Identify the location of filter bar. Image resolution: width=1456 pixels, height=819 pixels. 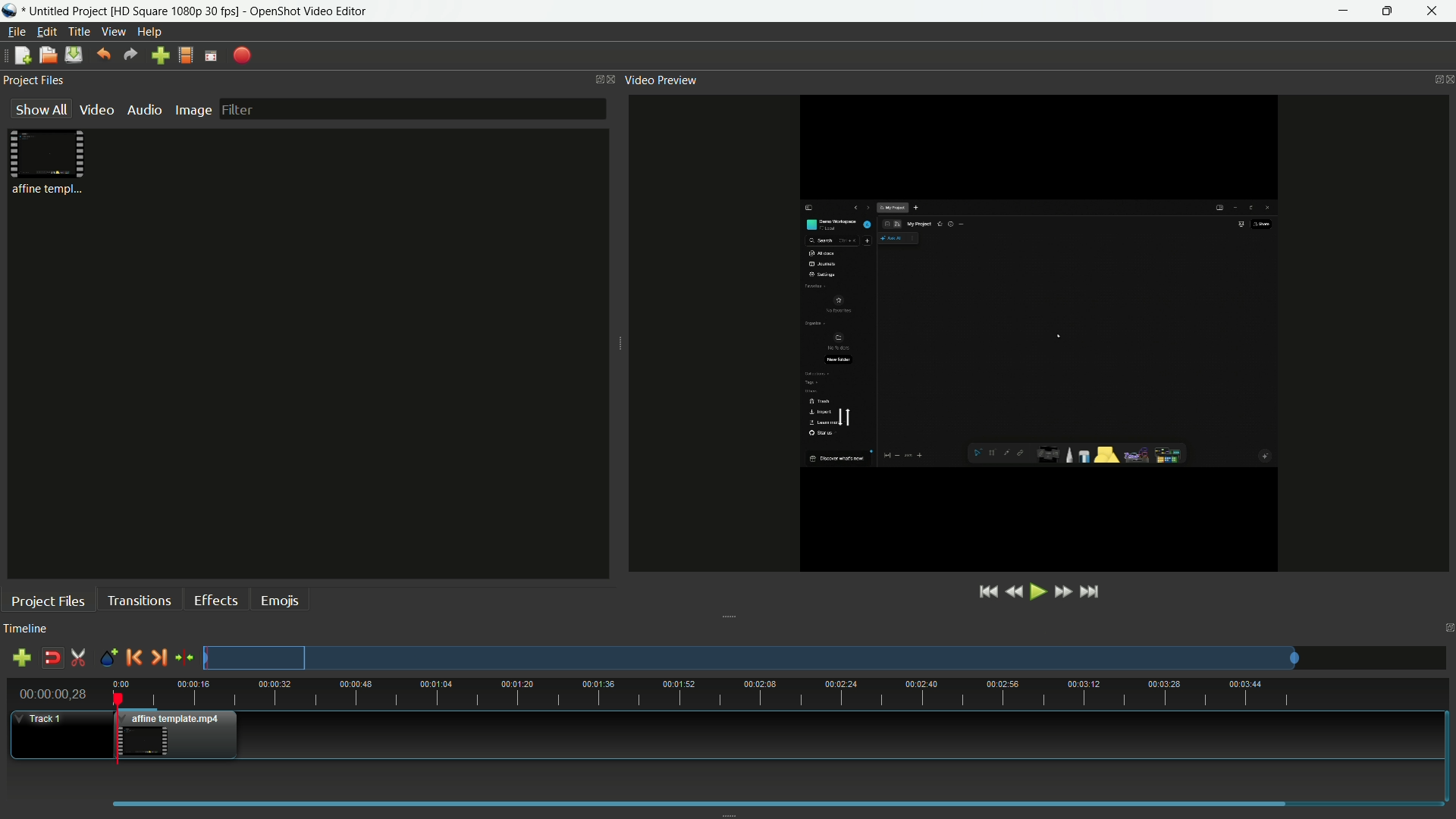
(411, 108).